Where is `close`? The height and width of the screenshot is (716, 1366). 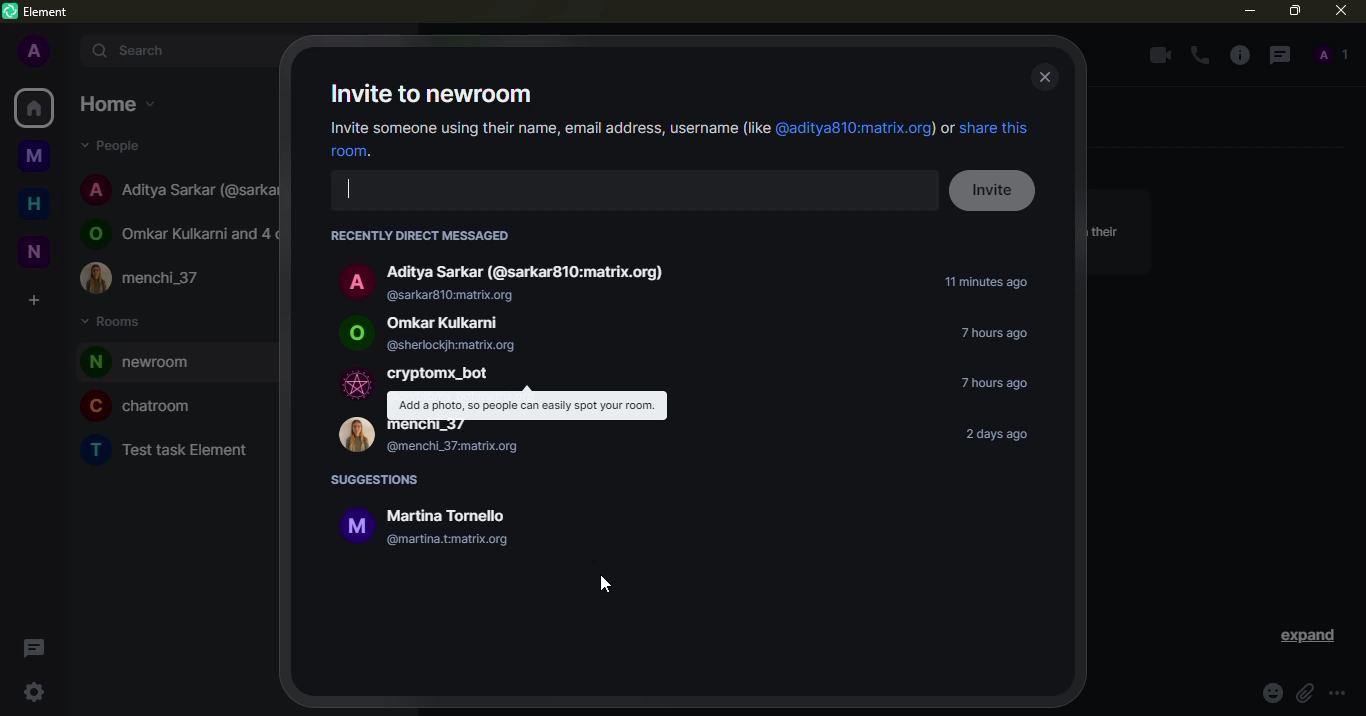 close is located at coordinates (1340, 13).